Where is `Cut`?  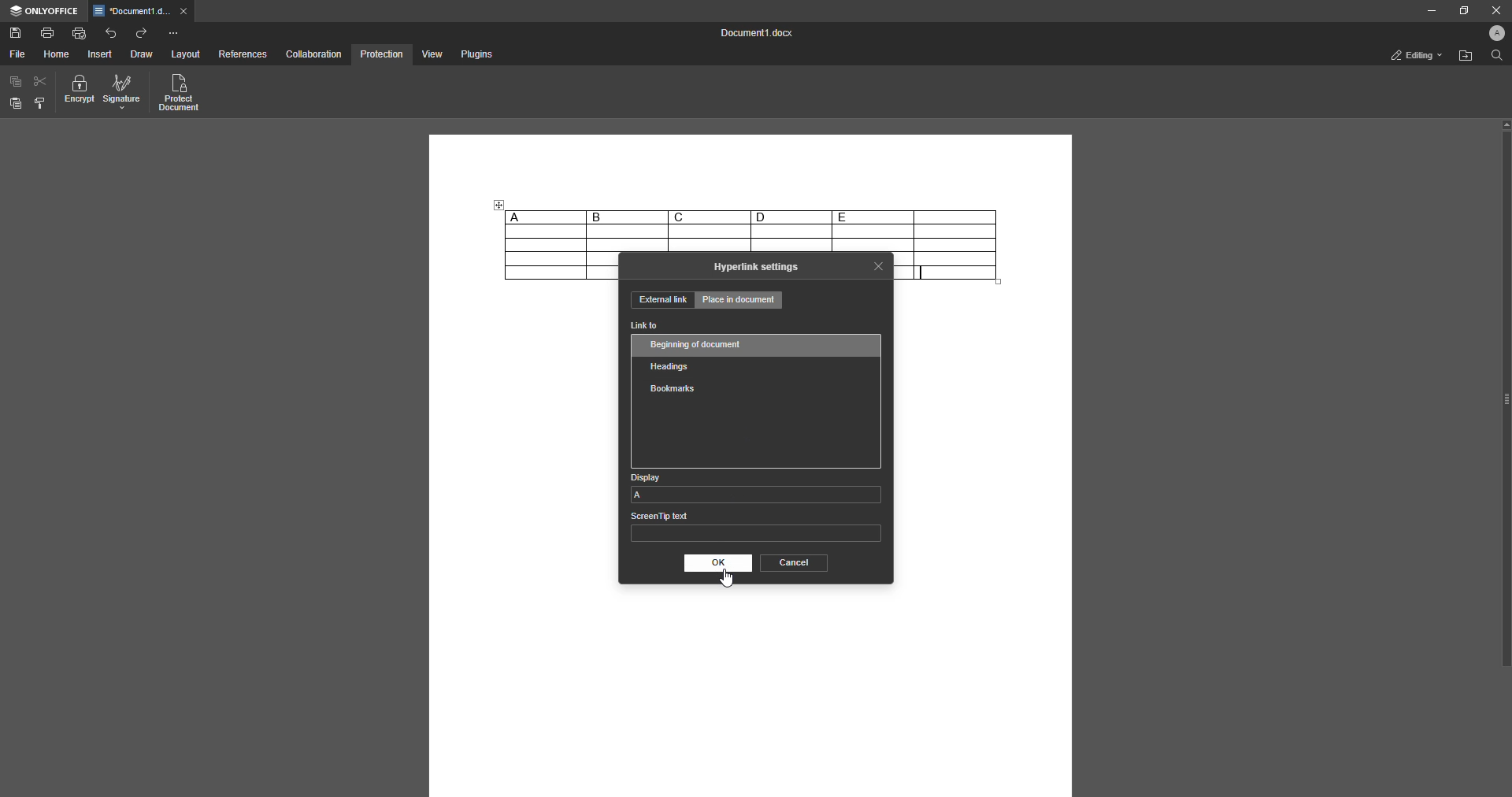
Cut is located at coordinates (41, 80).